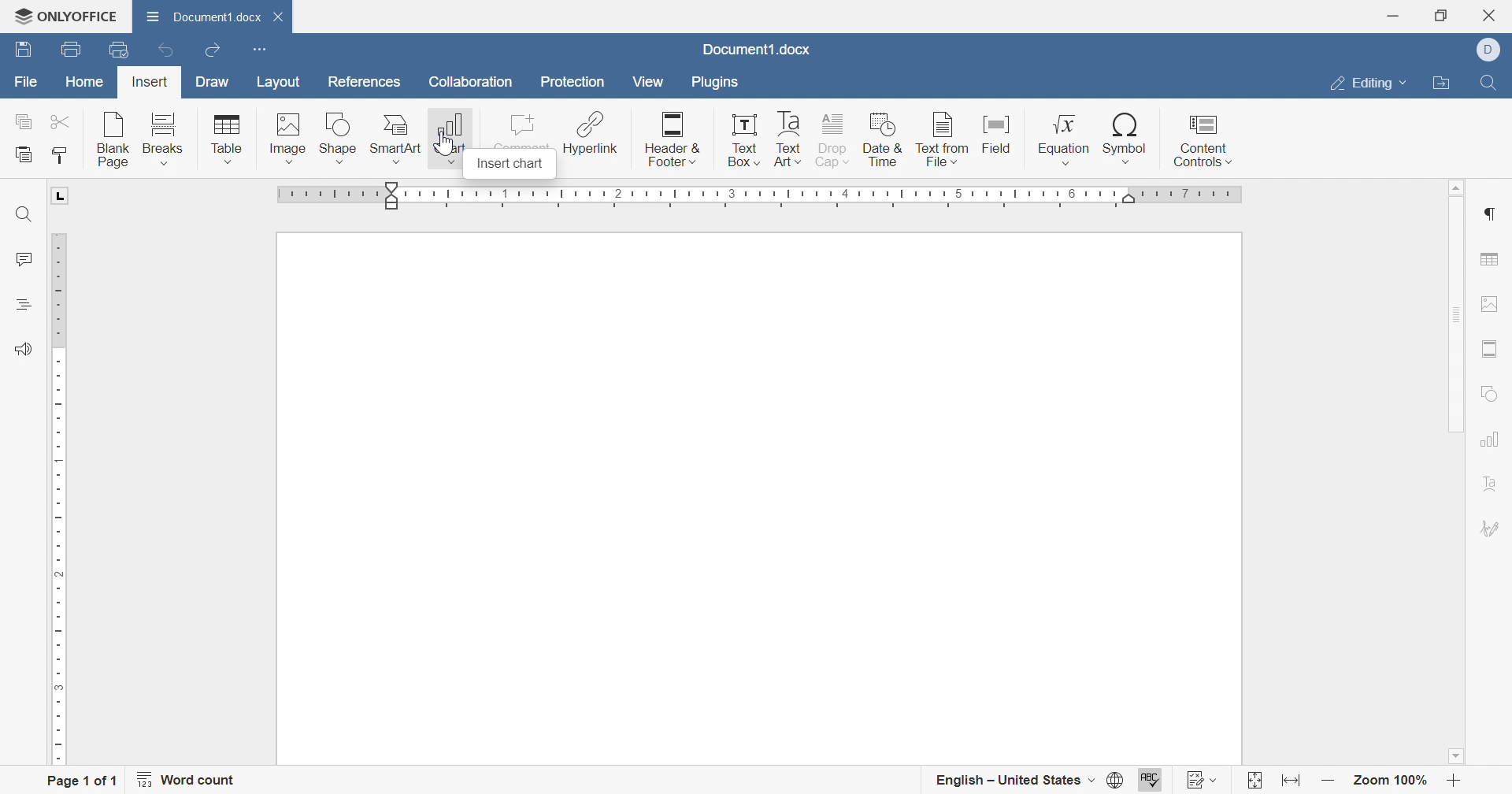 Image resolution: width=1512 pixels, height=794 pixels. I want to click on Undo, so click(164, 50).